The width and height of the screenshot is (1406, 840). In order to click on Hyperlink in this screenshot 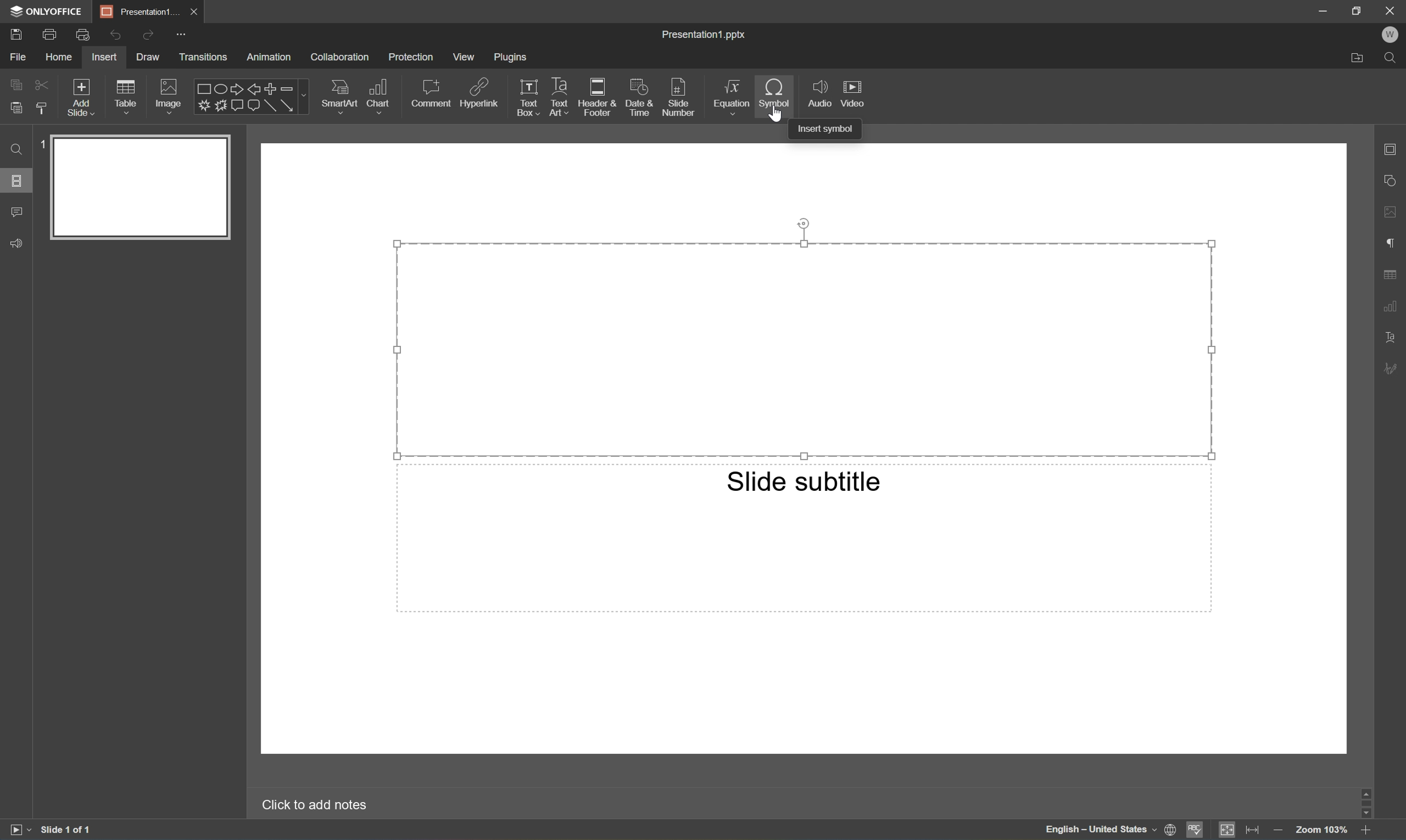, I will do `click(481, 92)`.